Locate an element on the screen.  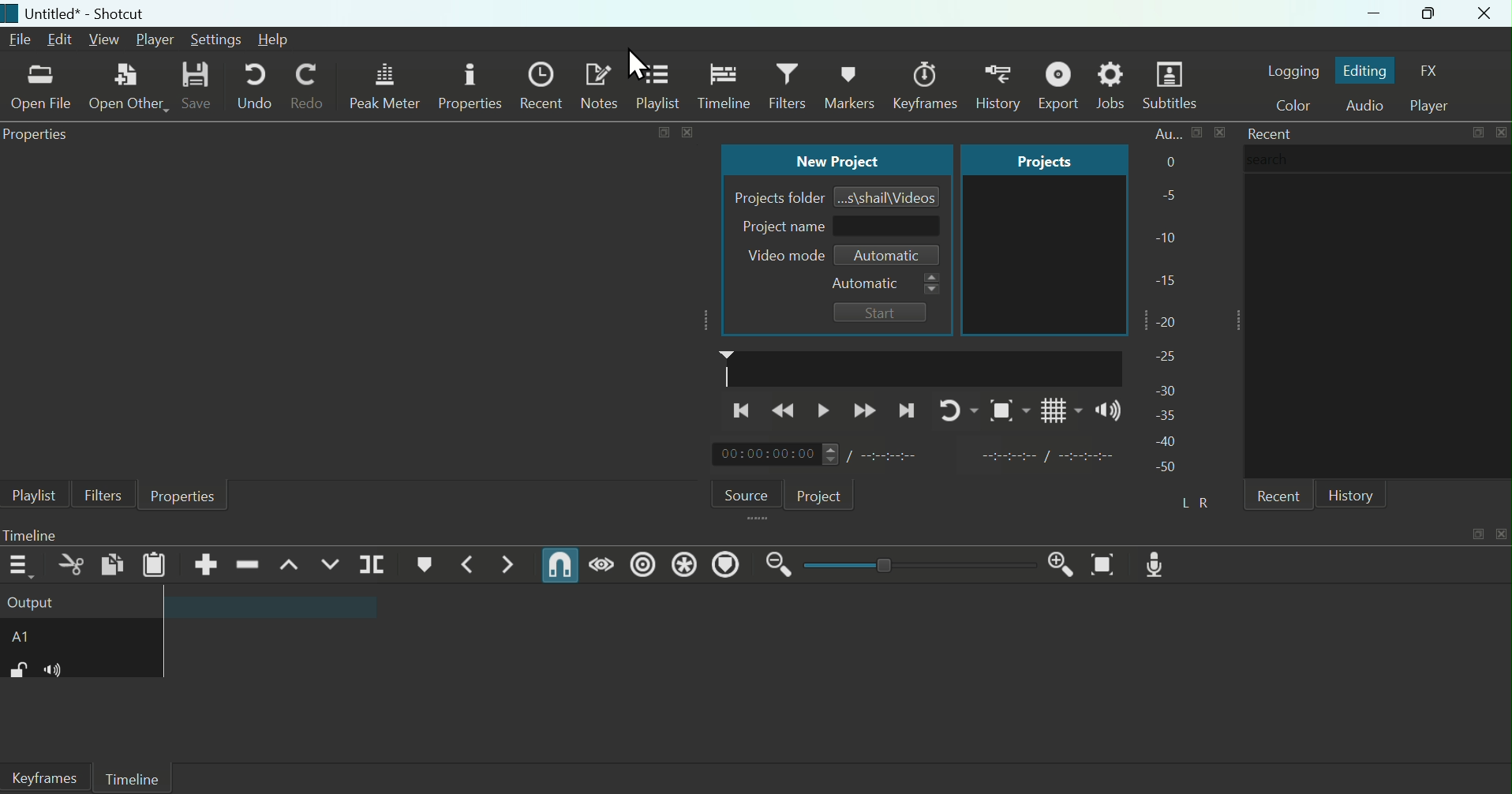
Markers is located at coordinates (926, 79).